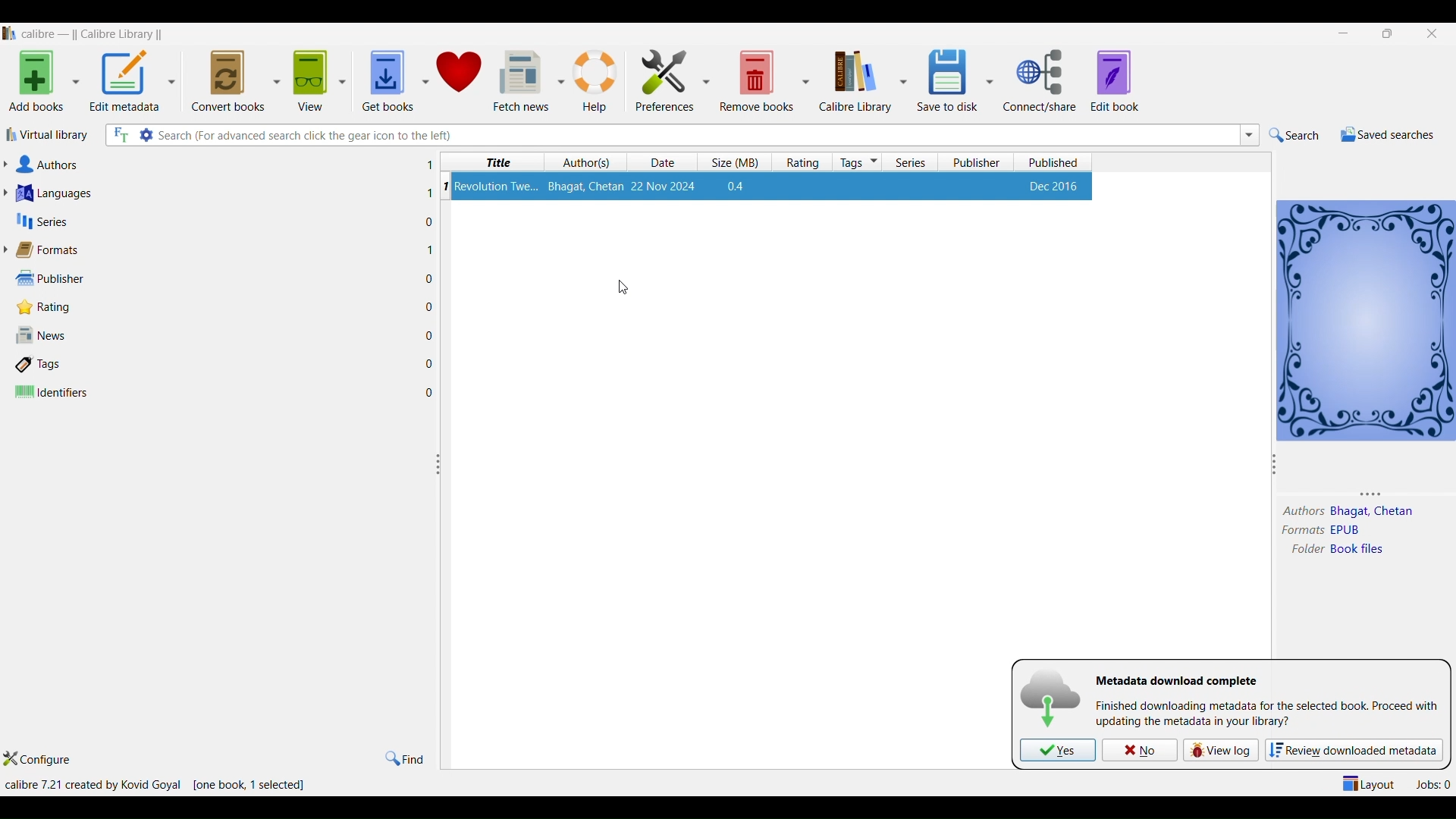  I want to click on full text search , so click(121, 136).